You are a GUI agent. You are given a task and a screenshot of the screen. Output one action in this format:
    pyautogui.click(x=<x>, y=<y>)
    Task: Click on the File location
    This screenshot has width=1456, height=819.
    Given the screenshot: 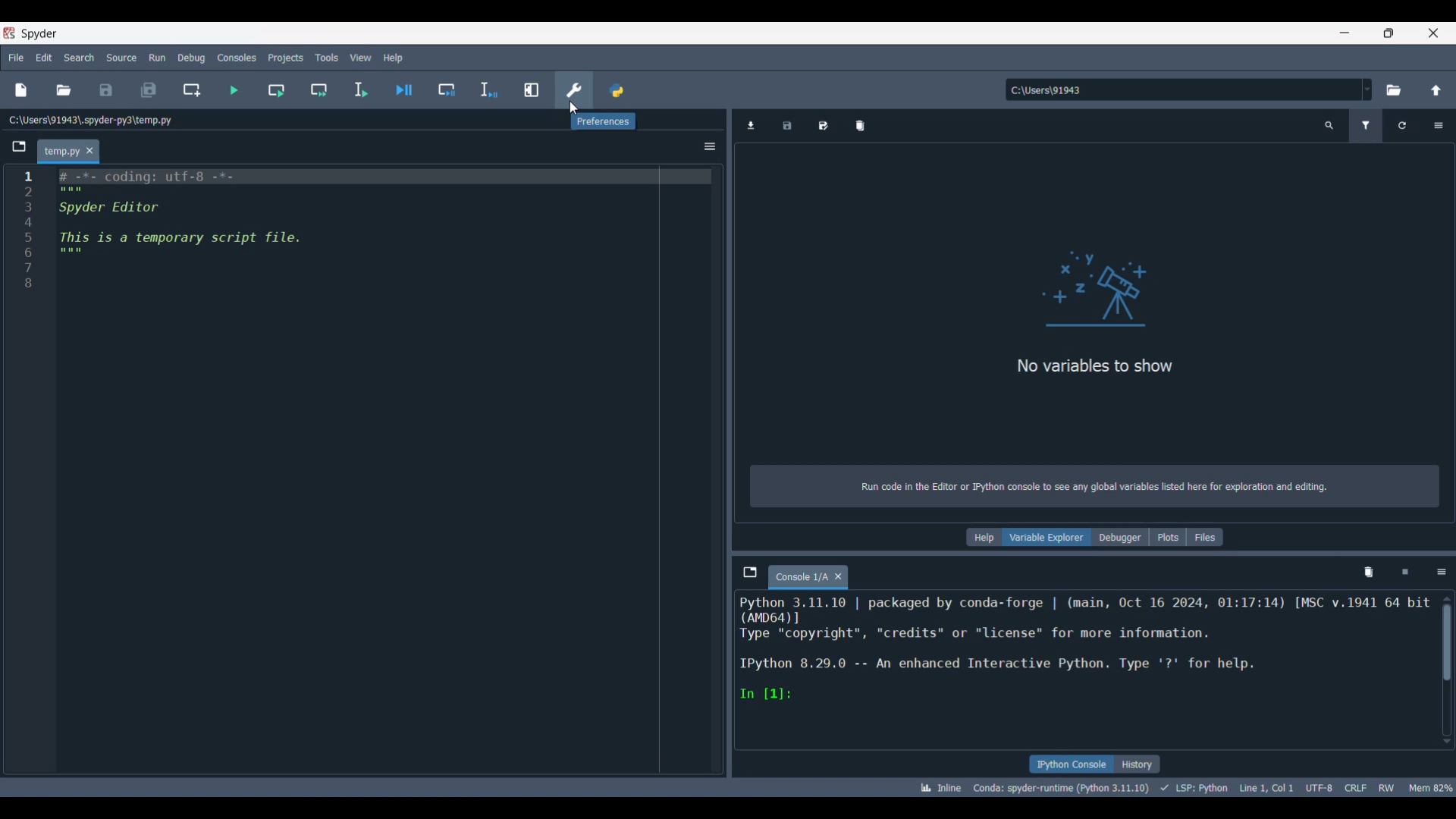 What is the action you would take?
    pyautogui.click(x=91, y=120)
    